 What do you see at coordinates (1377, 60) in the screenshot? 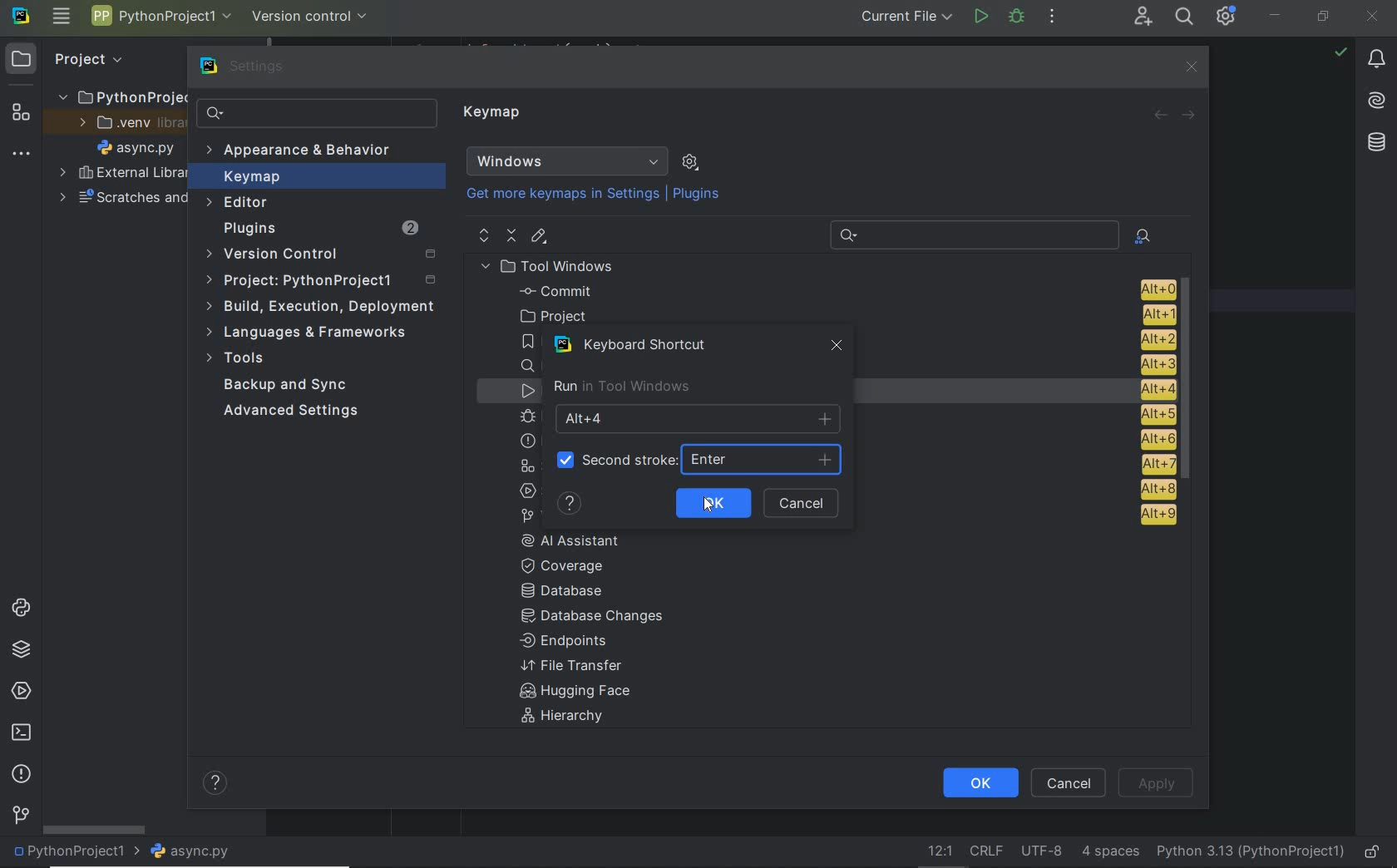
I see `notifications` at bounding box center [1377, 60].